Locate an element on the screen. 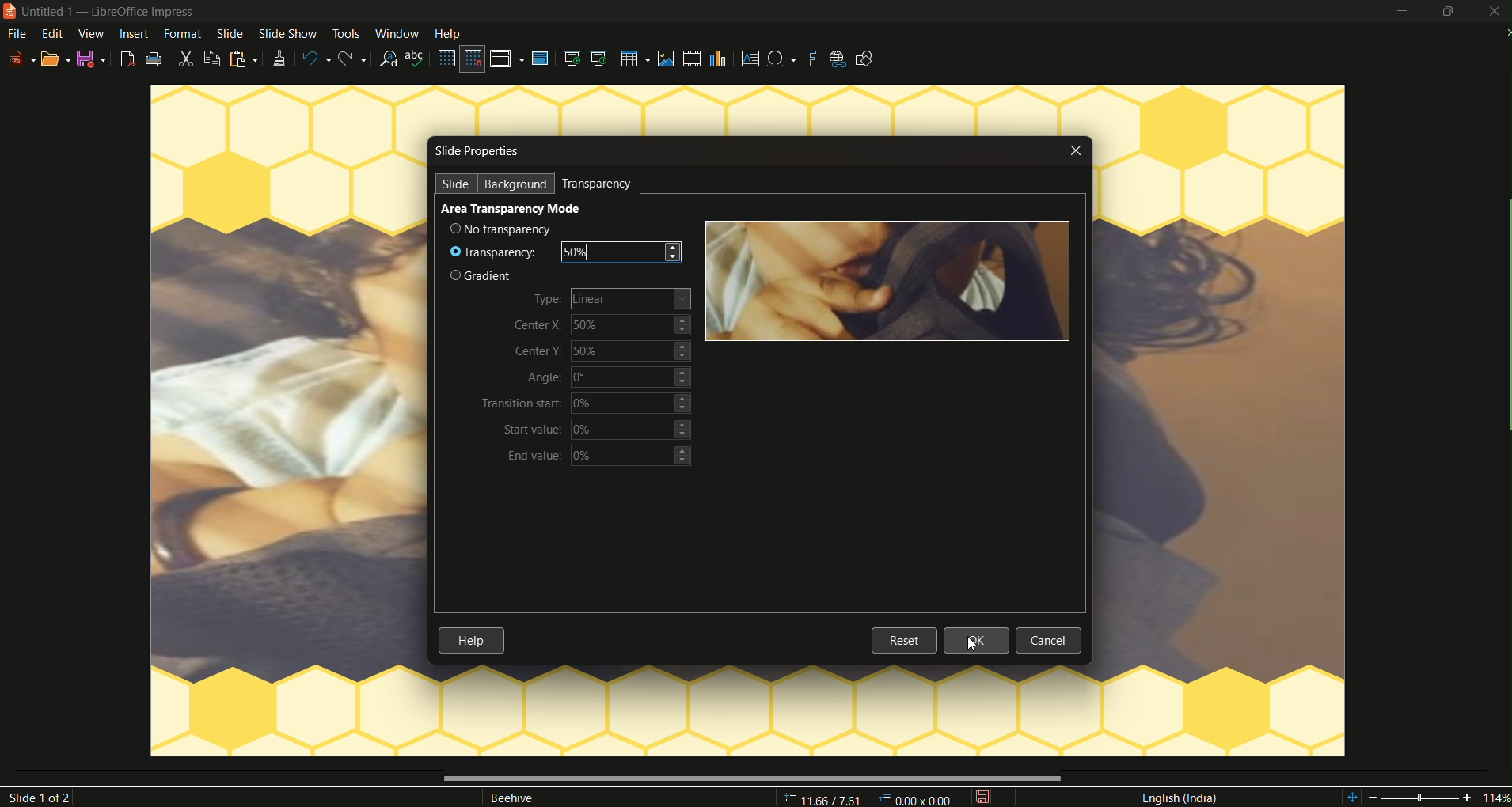  copy is located at coordinates (212, 59).